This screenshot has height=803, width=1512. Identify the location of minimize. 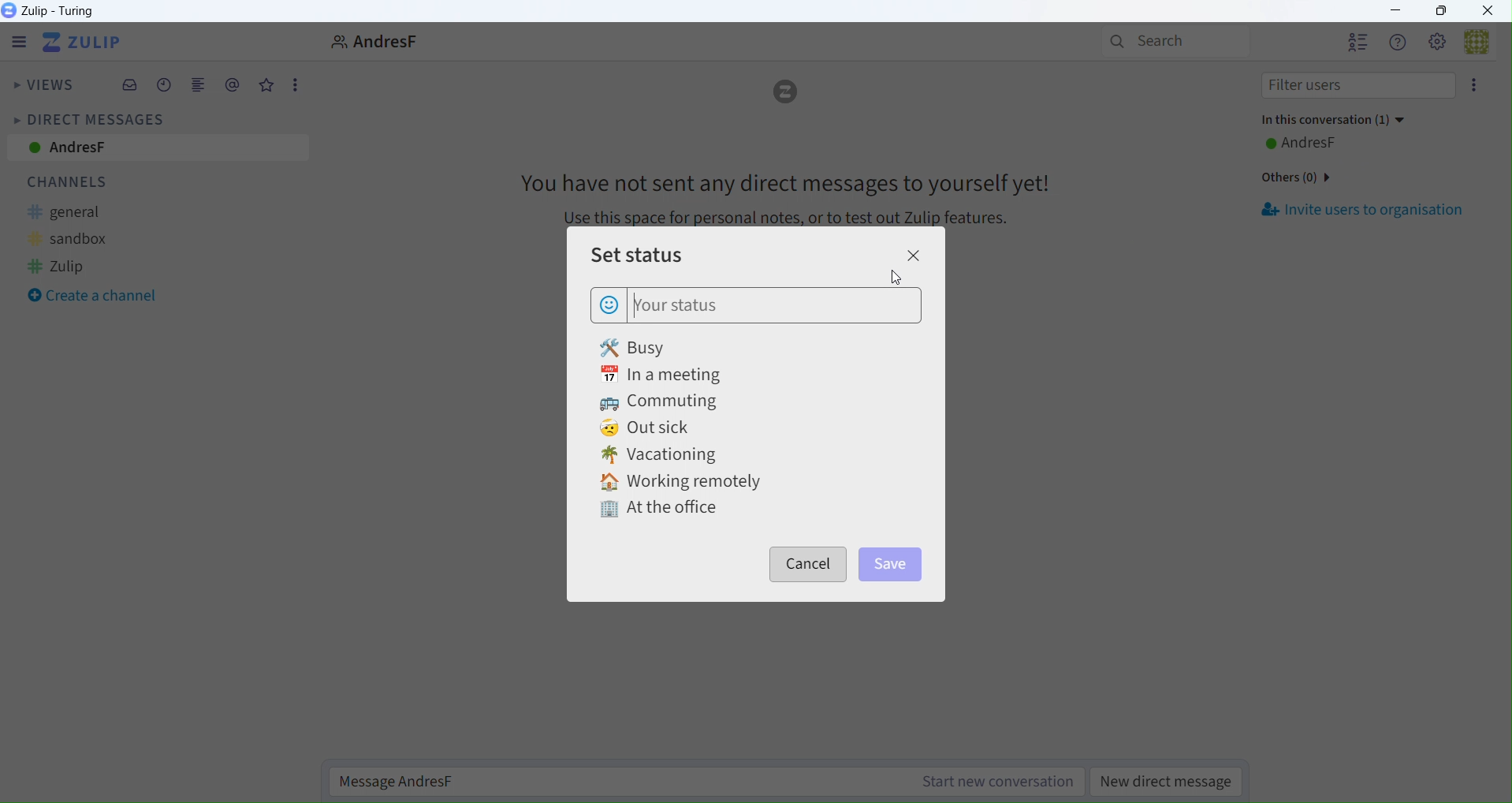
(1400, 10).